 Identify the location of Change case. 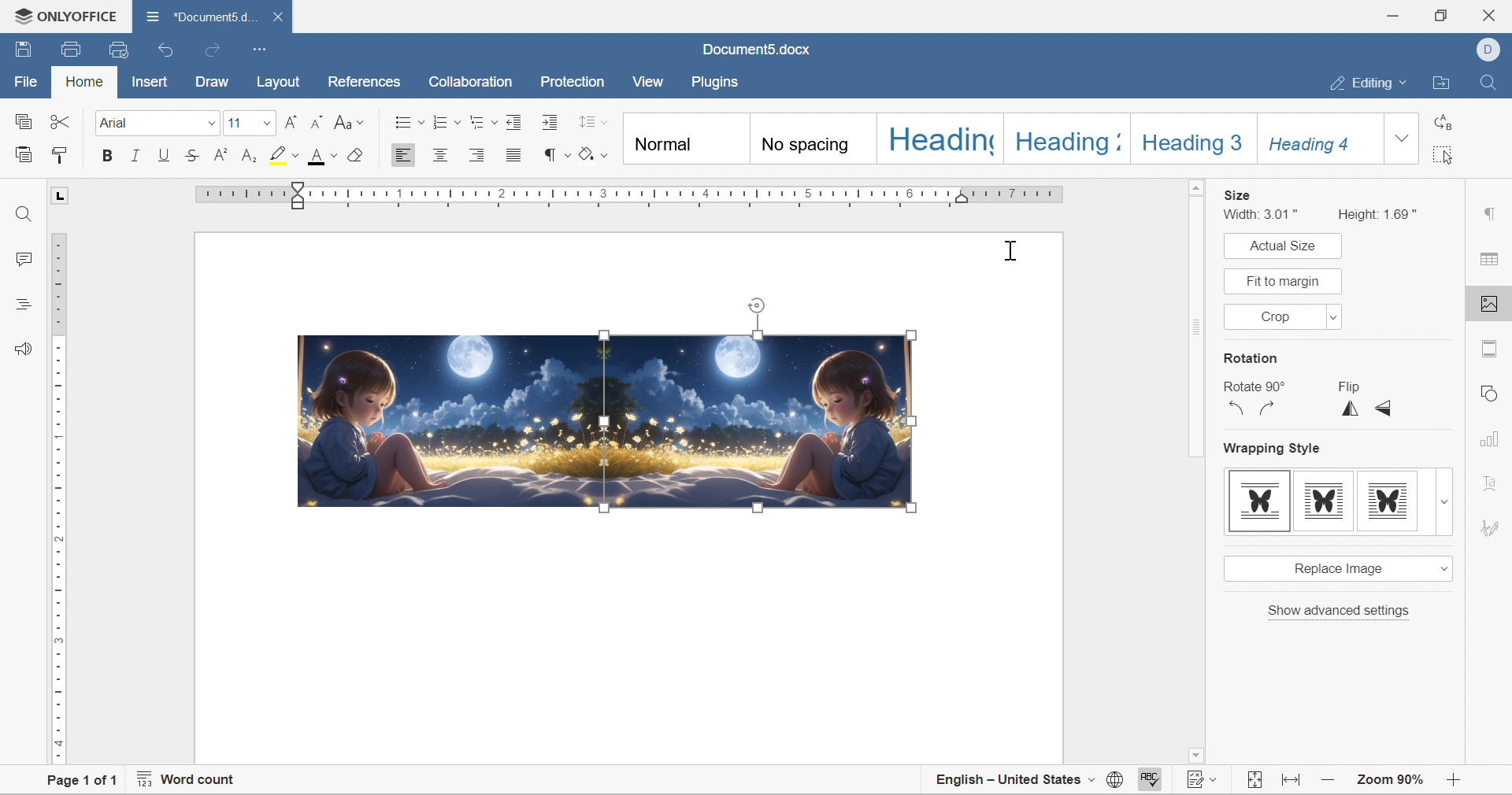
(350, 124).